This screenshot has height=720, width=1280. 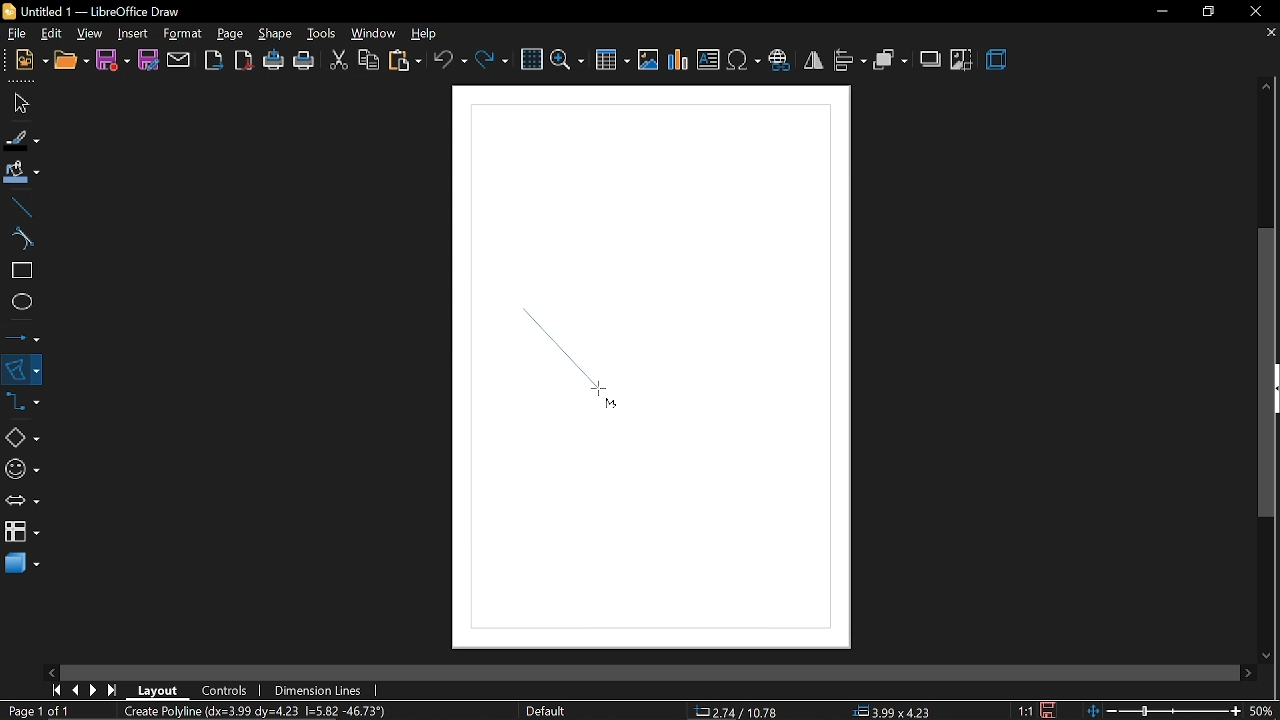 What do you see at coordinates (1261, 10) in the screenshot?
I see `close` at bounding box center [1261, 10].